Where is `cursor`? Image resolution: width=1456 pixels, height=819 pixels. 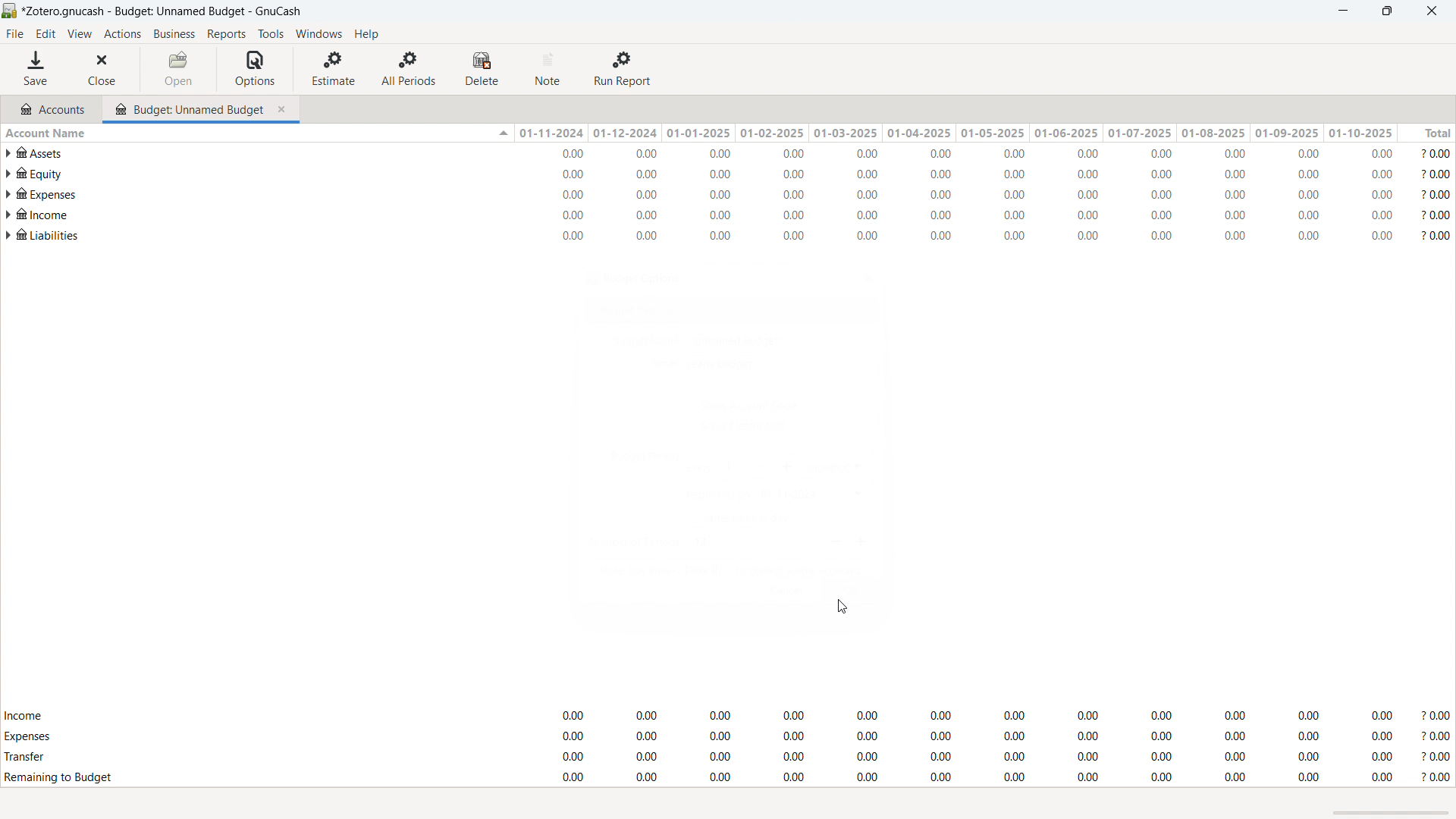 cursor is located at coordinates (842, 607).